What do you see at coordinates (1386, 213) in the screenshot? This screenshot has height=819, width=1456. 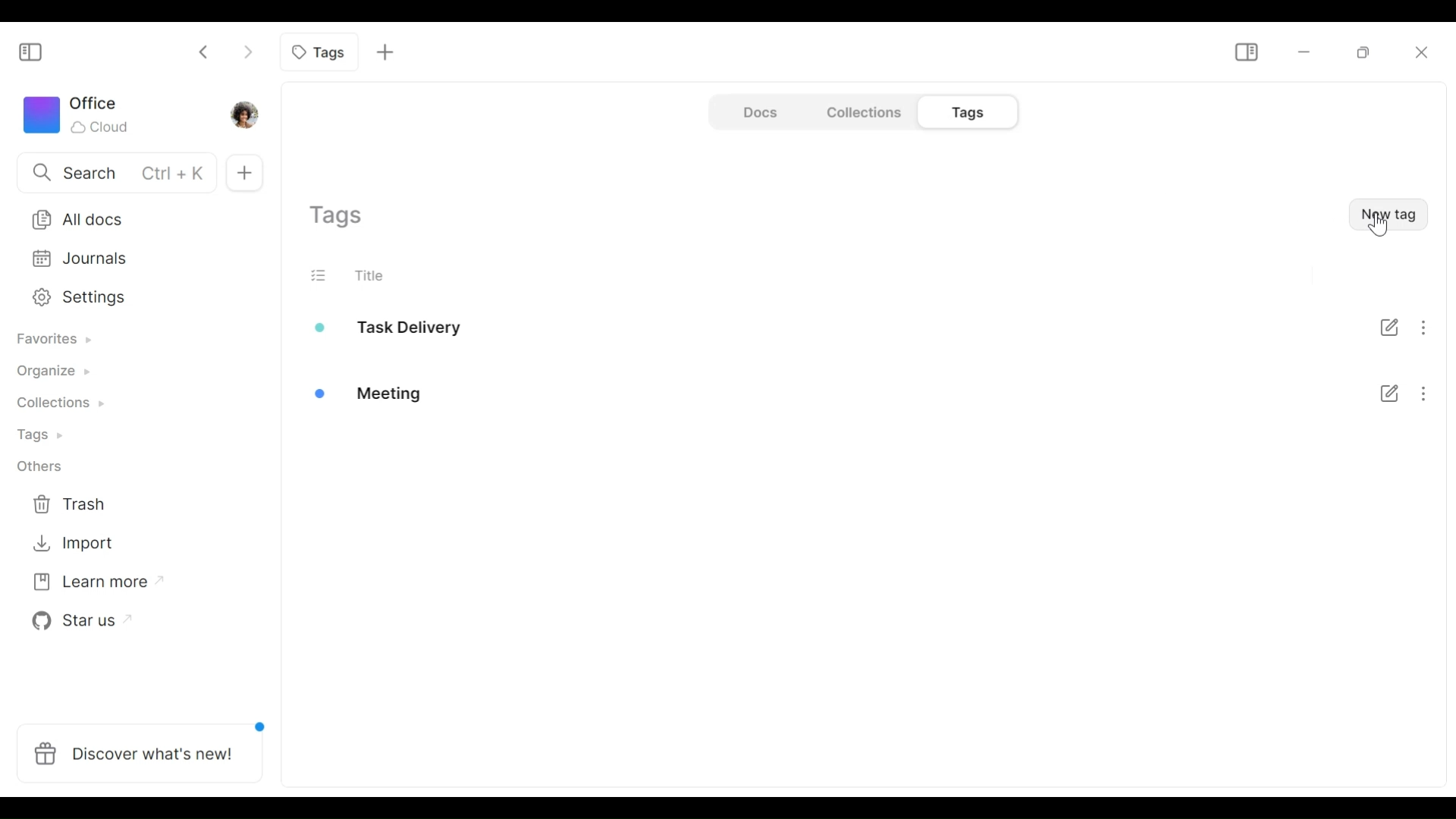 I see `New Tag` at bounding box center [1386, 213].